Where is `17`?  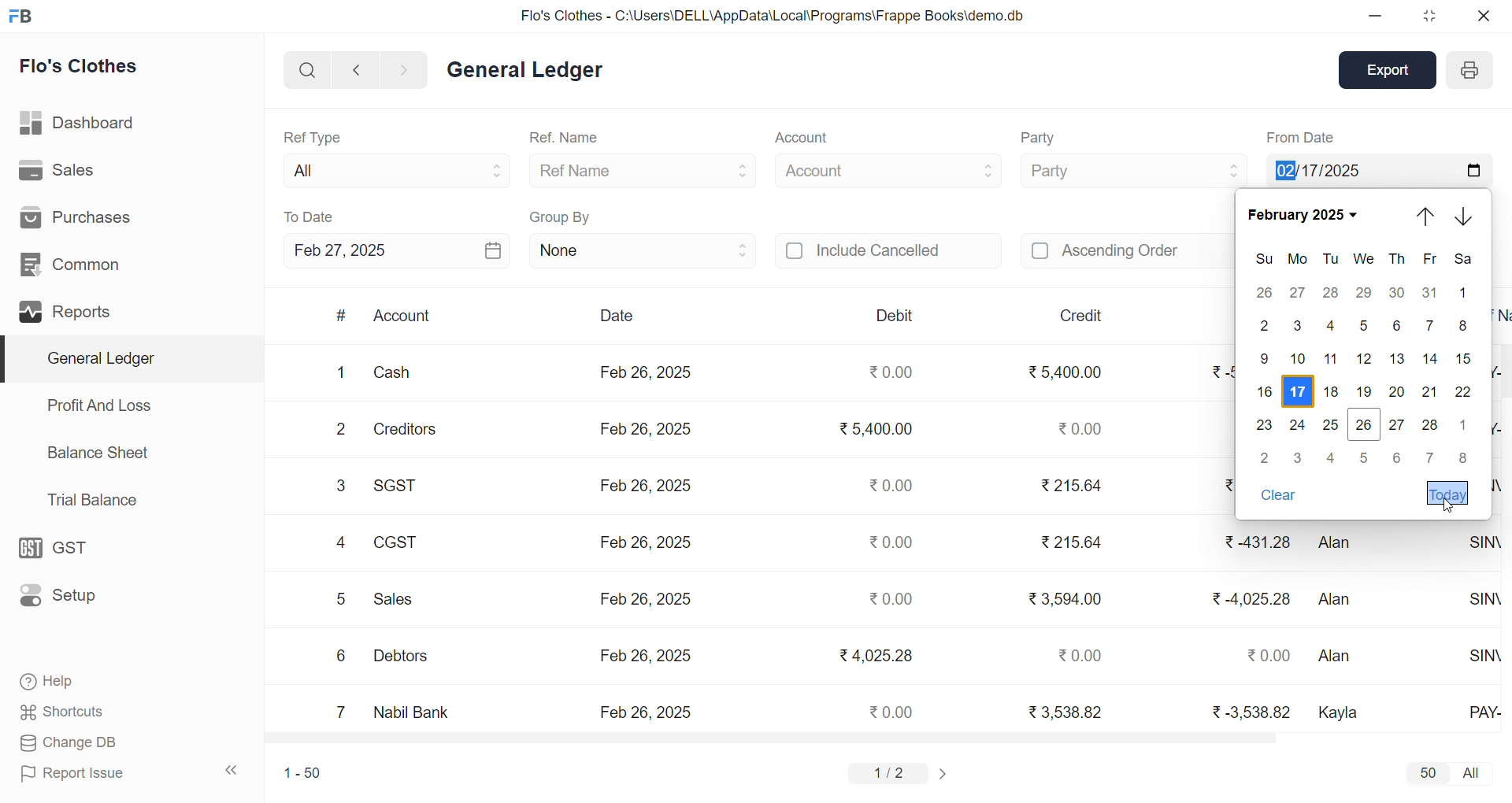 17 is located at coordinates (1300, 390).